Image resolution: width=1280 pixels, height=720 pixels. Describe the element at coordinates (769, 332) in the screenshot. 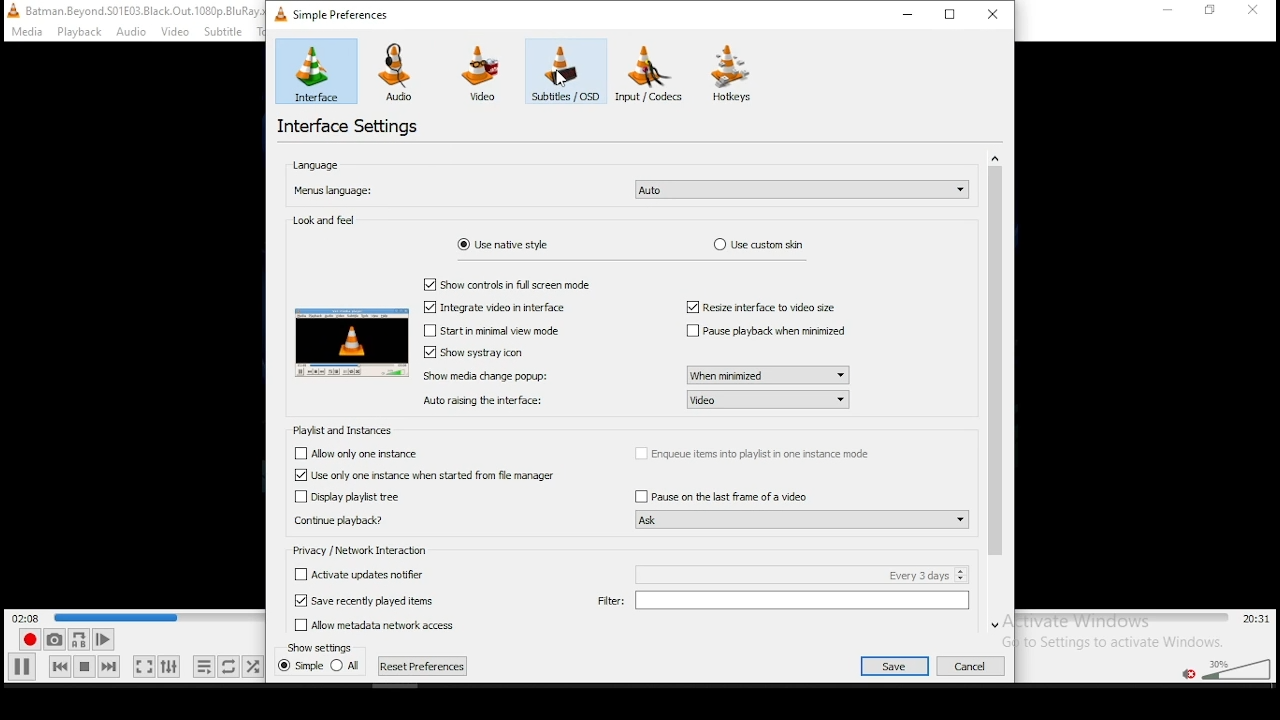

I see `` at that location.